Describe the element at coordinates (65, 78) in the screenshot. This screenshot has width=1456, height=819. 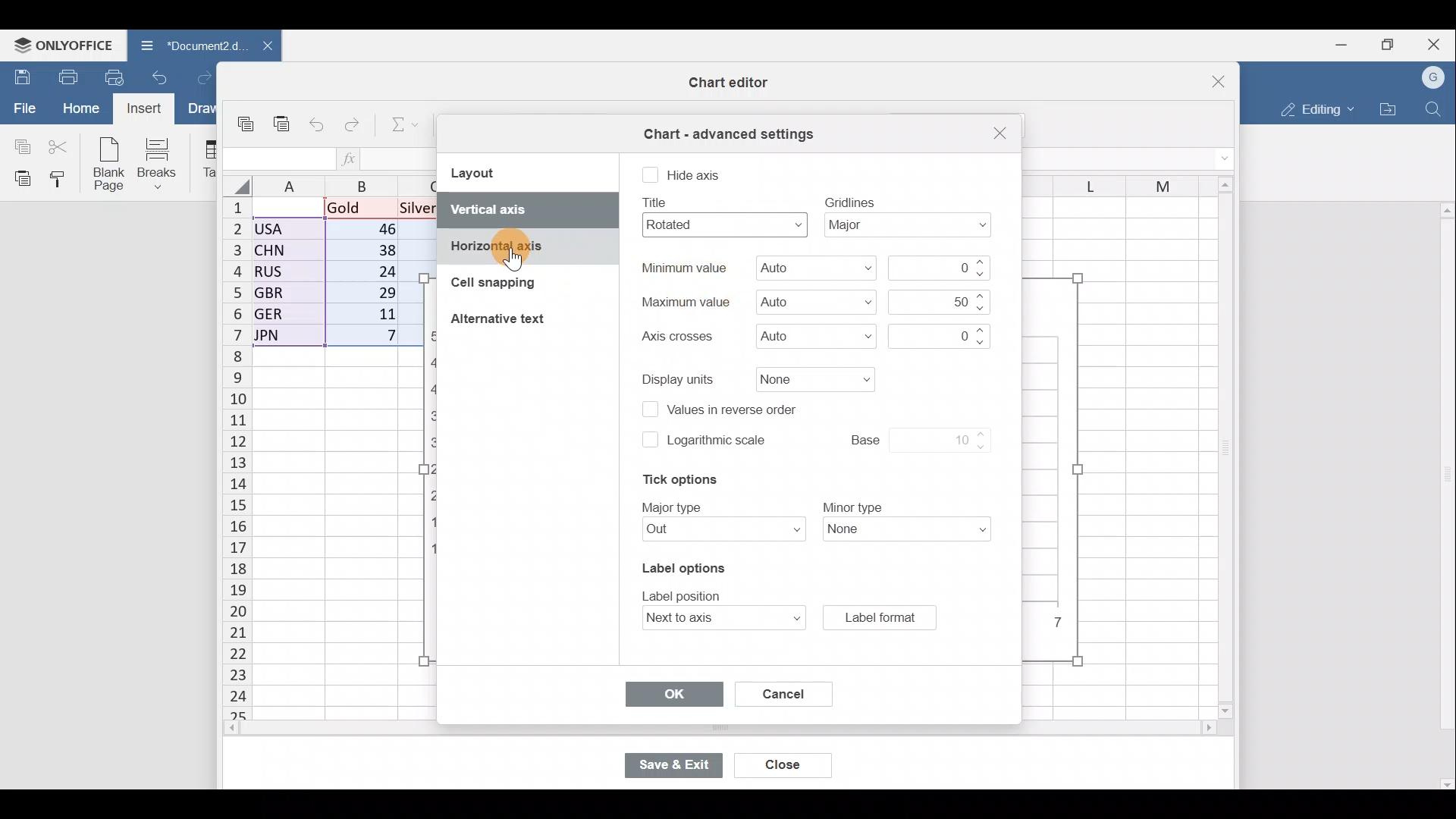
I see `Print file` at that location.